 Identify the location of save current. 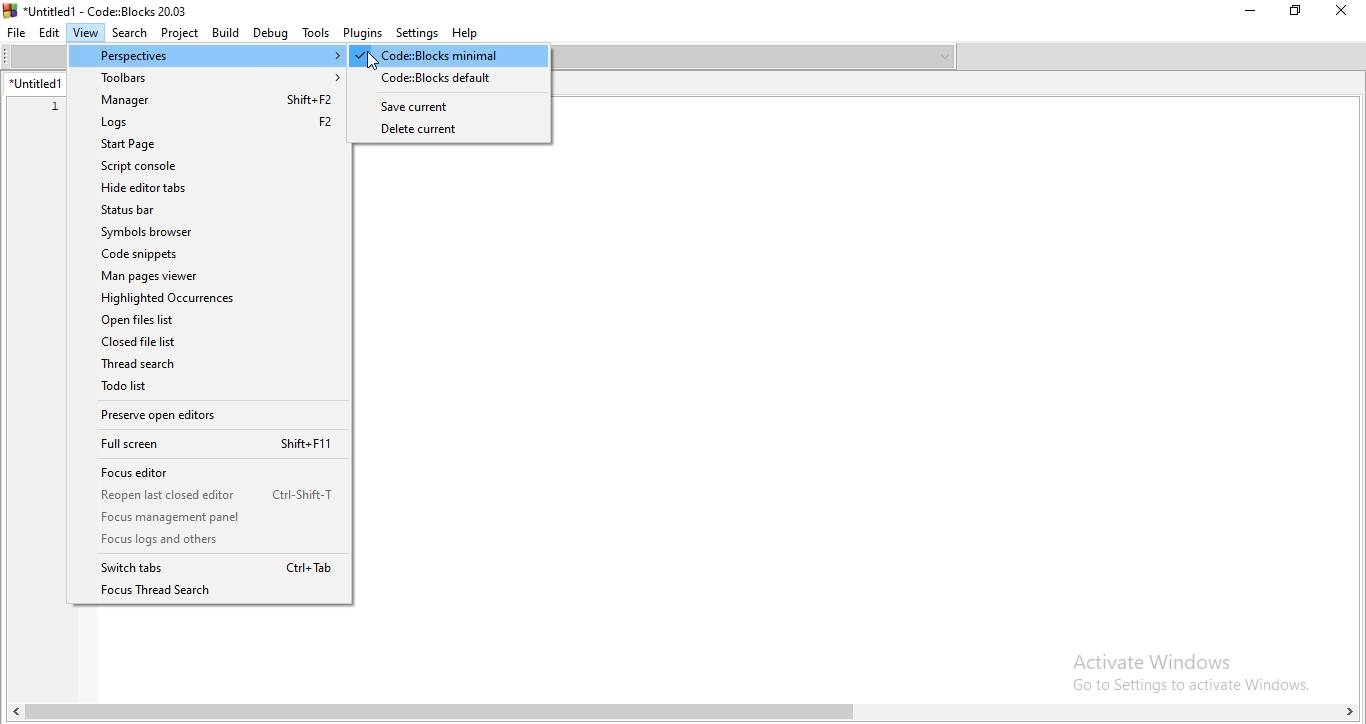
(453, 106).